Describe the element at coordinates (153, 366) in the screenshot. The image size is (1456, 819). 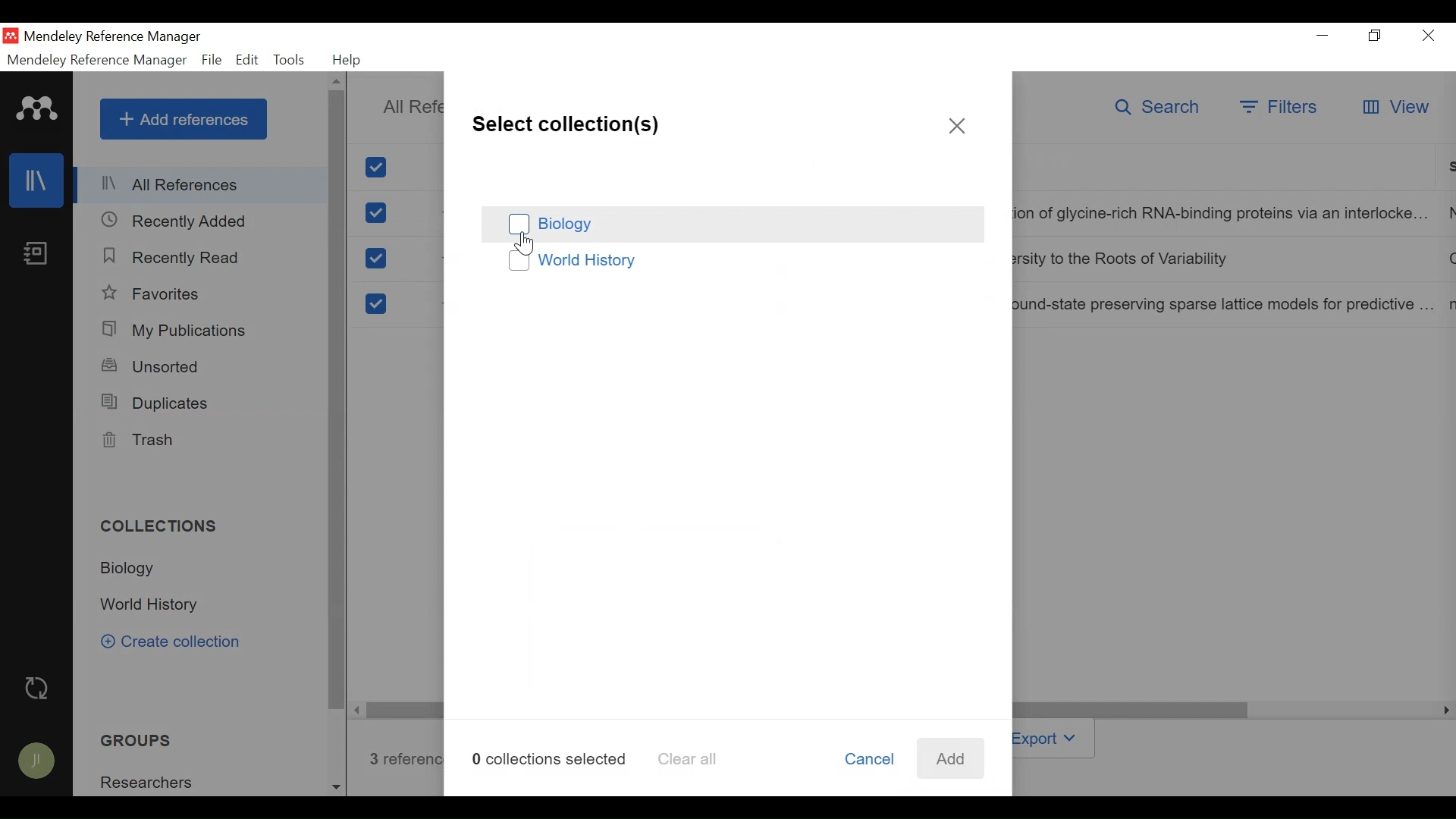
I see `Unsorted` at that location.